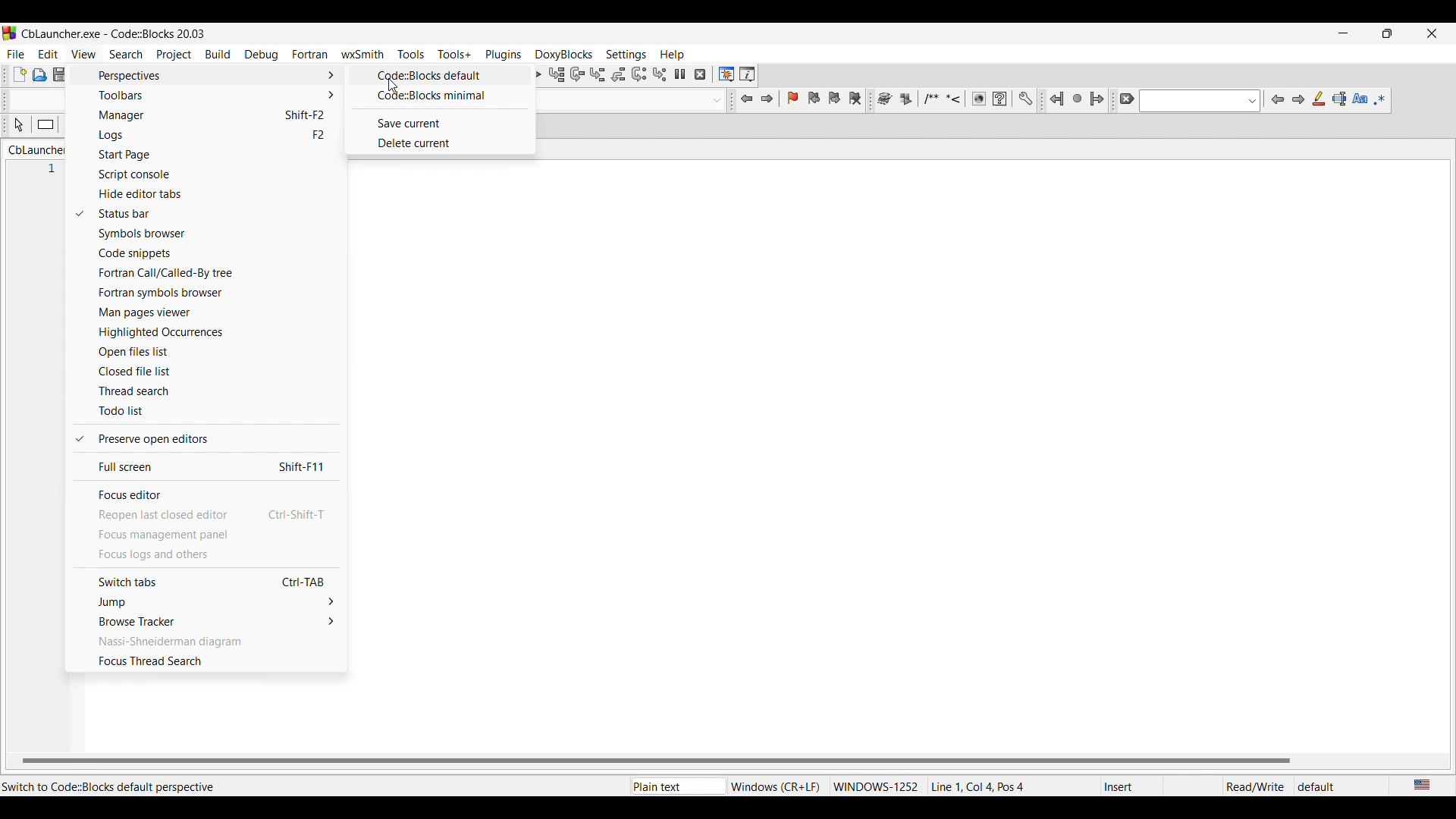 The image size is (1456, 819). I want to click on Preserve open editors, so click(215, 439).